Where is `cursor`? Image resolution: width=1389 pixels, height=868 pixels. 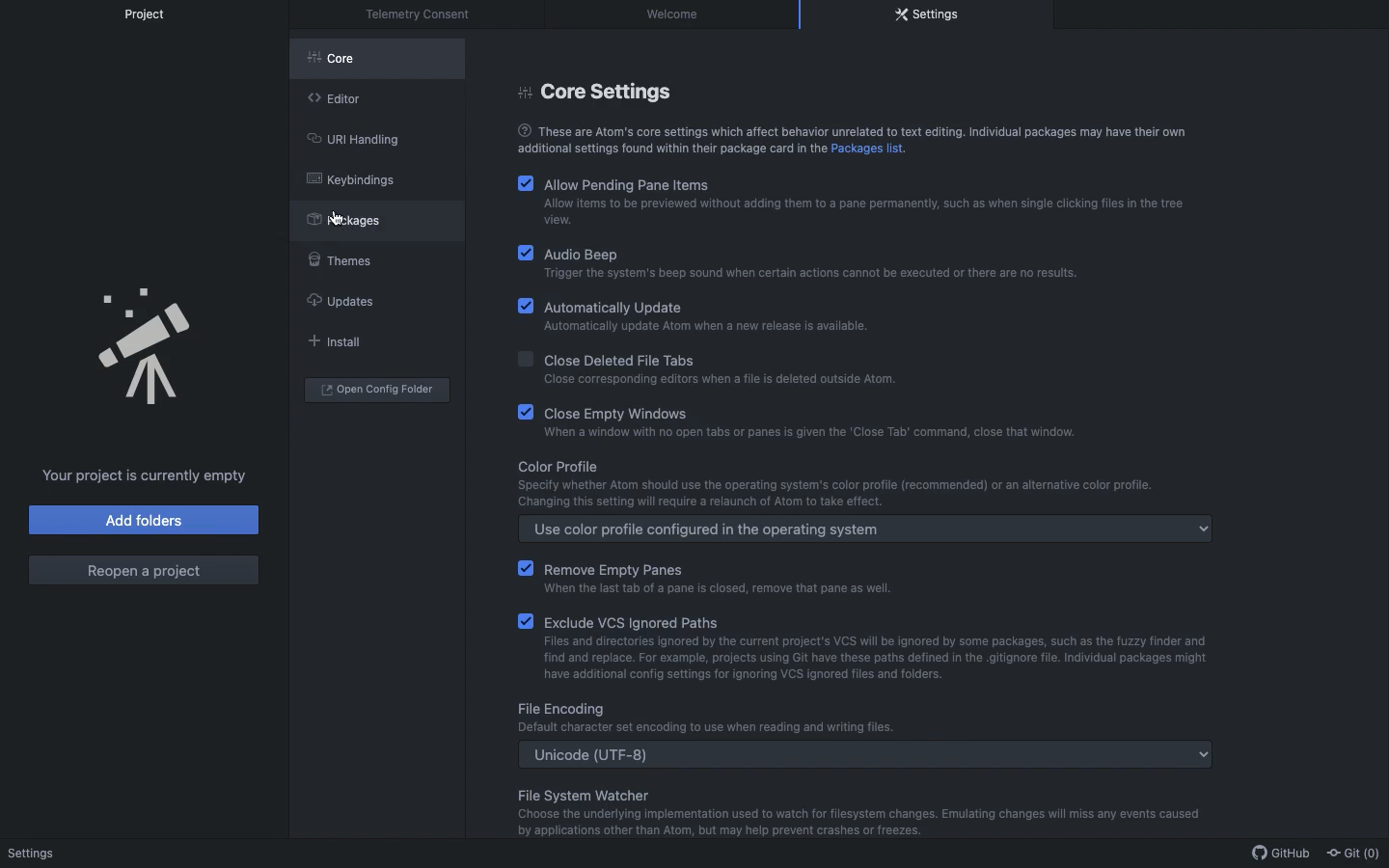
cursor is located at coordinates (336, 218).